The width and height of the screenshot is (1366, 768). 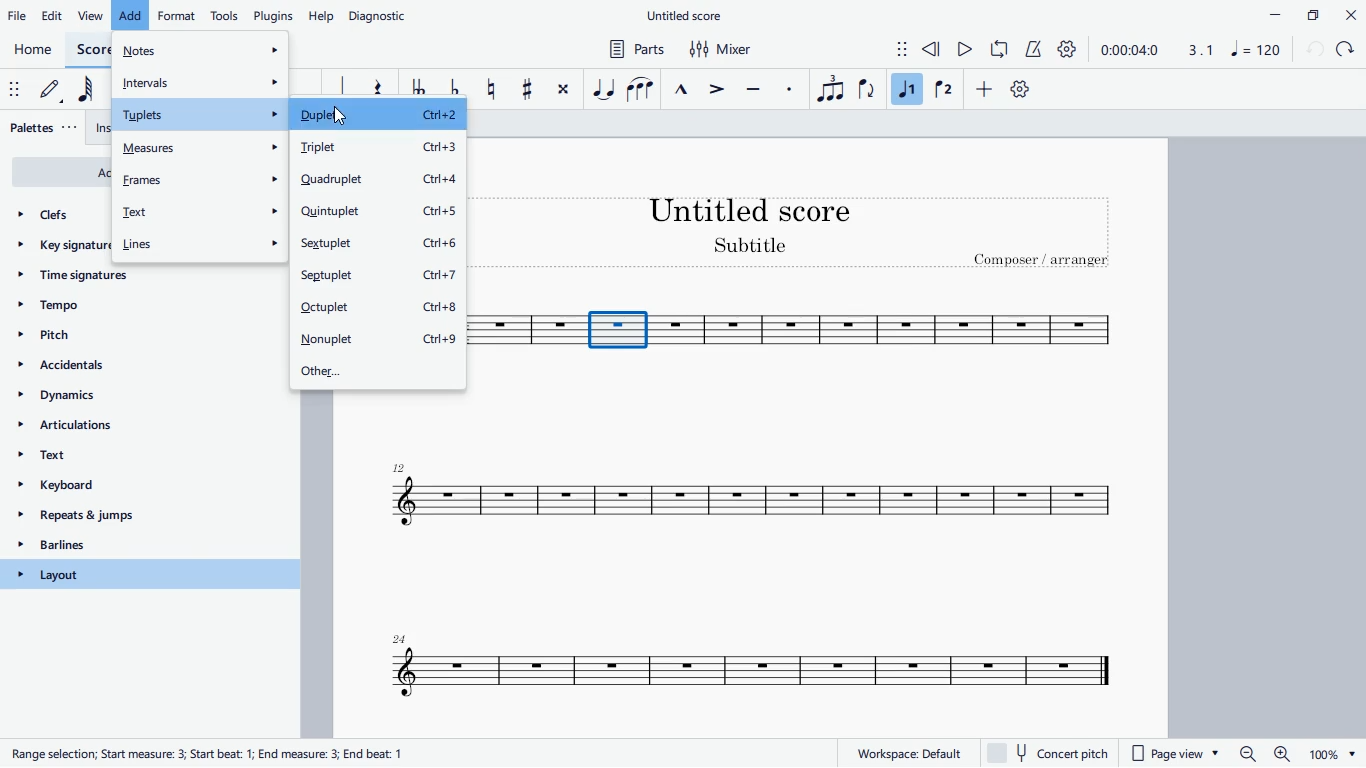 What do you see at coordinates (274, 16) in the screenshot?
I see `plugins` at bounding box center [274, 16].